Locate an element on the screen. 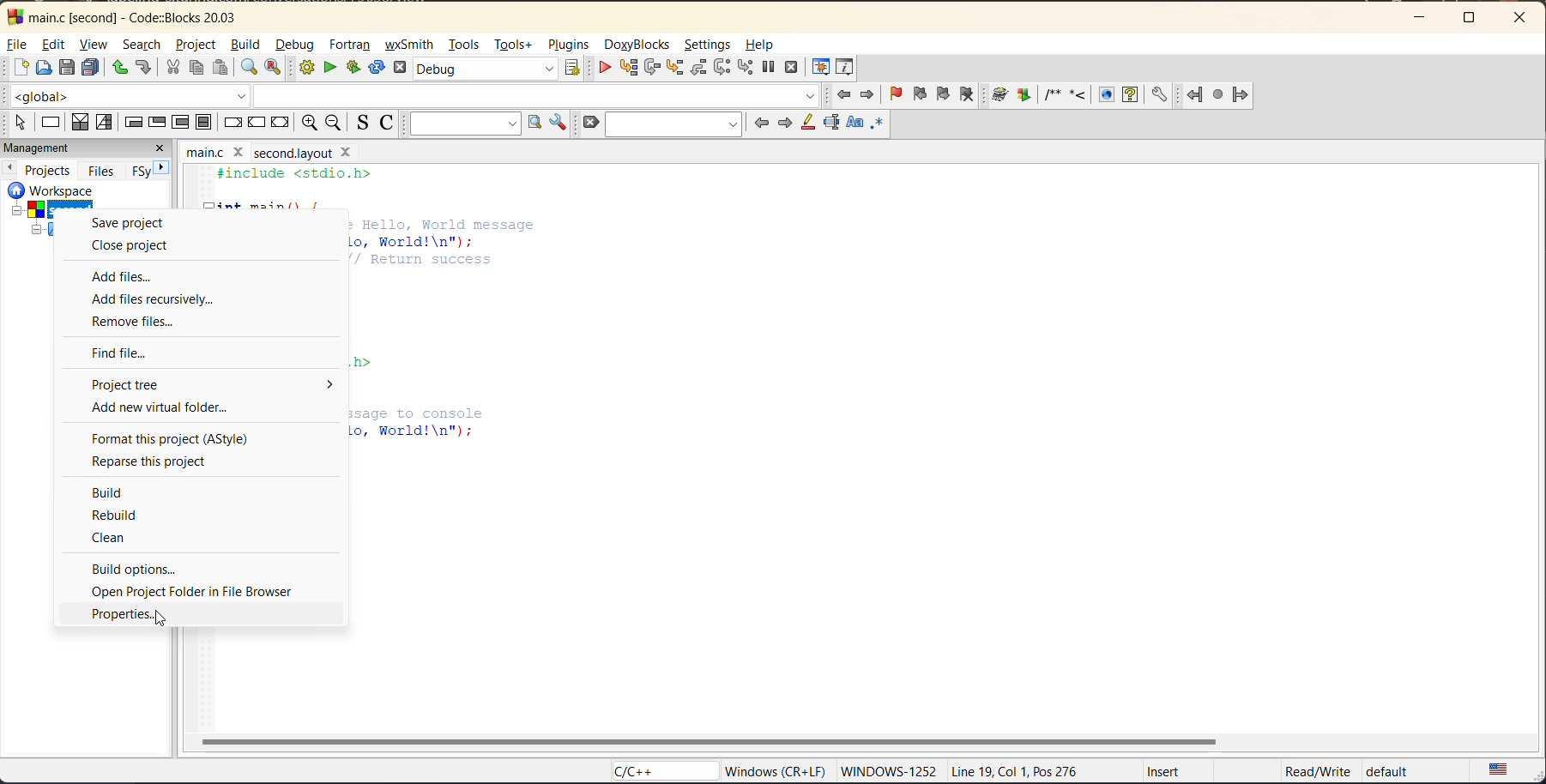 The image size is (1546, 784). cursor is located at coordinates (160, 618).